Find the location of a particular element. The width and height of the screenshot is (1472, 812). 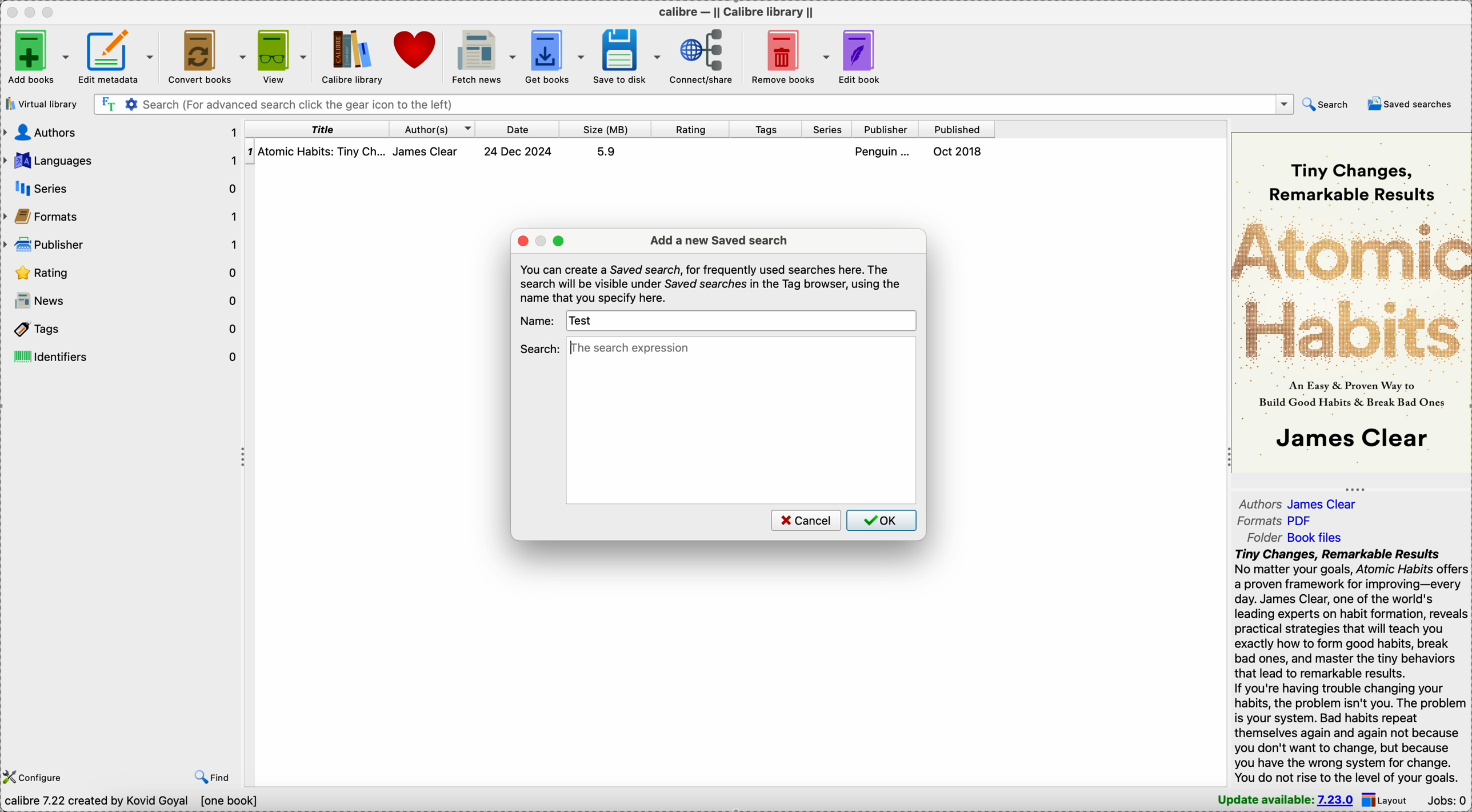

edit metadata is located at coordinates (118, 54).